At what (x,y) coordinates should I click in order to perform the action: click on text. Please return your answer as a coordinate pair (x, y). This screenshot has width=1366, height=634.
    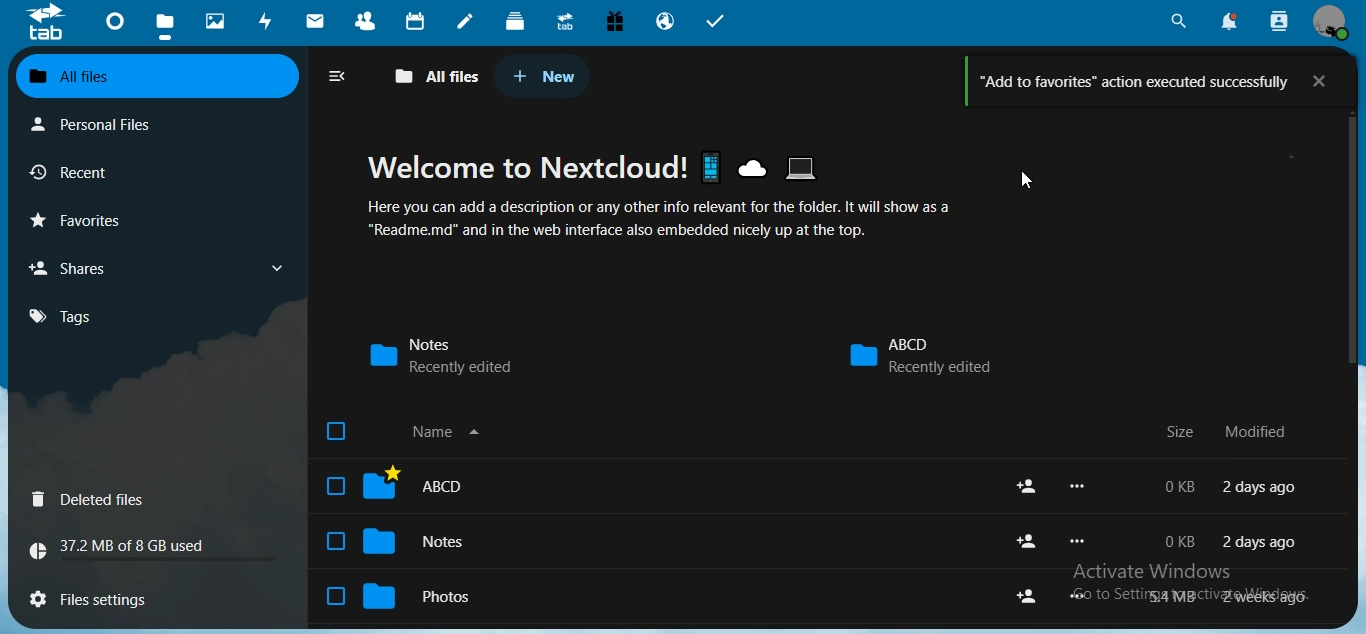
    Looking at the image, I should click on (1235, 489).